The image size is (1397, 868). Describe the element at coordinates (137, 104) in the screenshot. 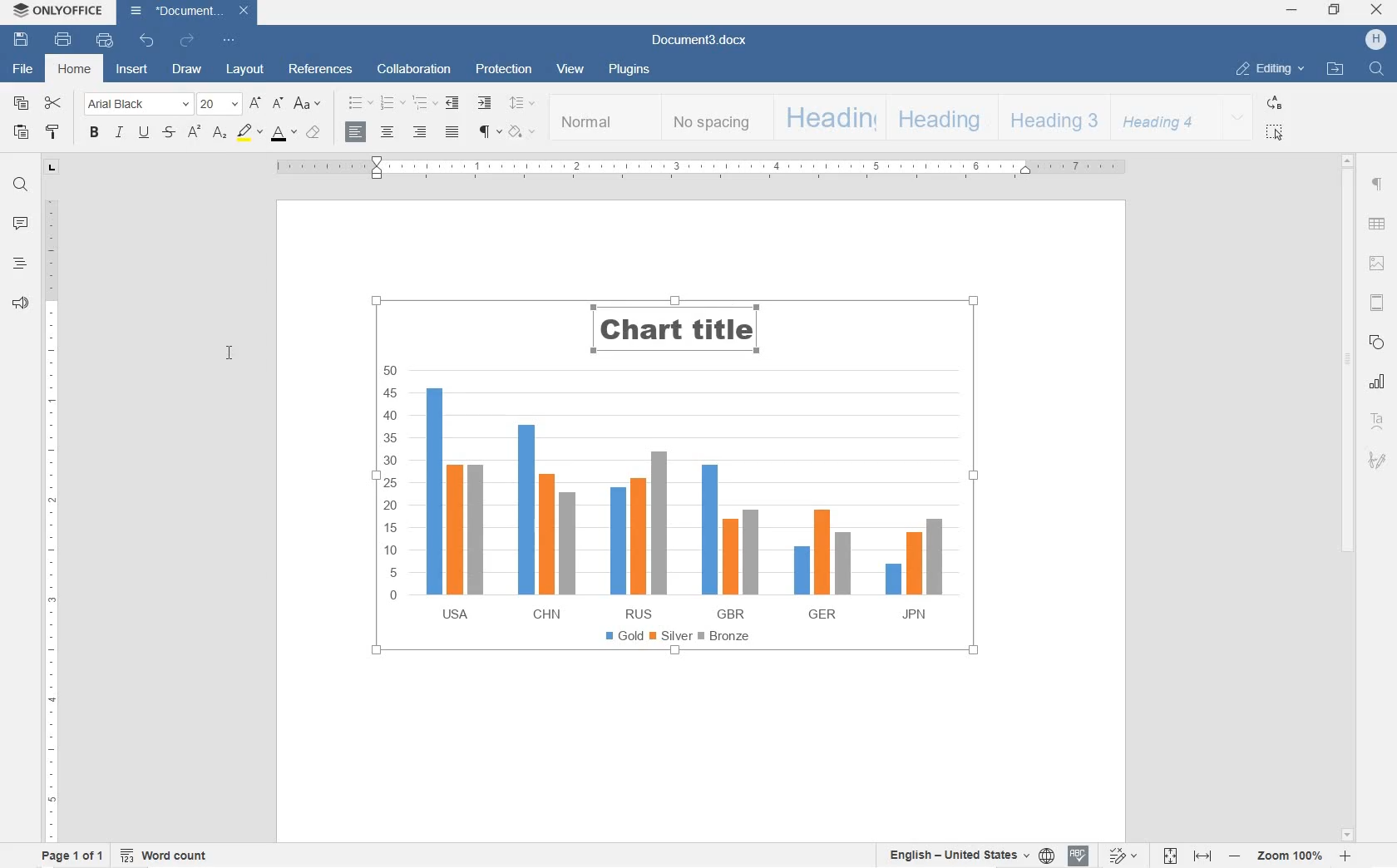

I see `FONT NAME` at that location.